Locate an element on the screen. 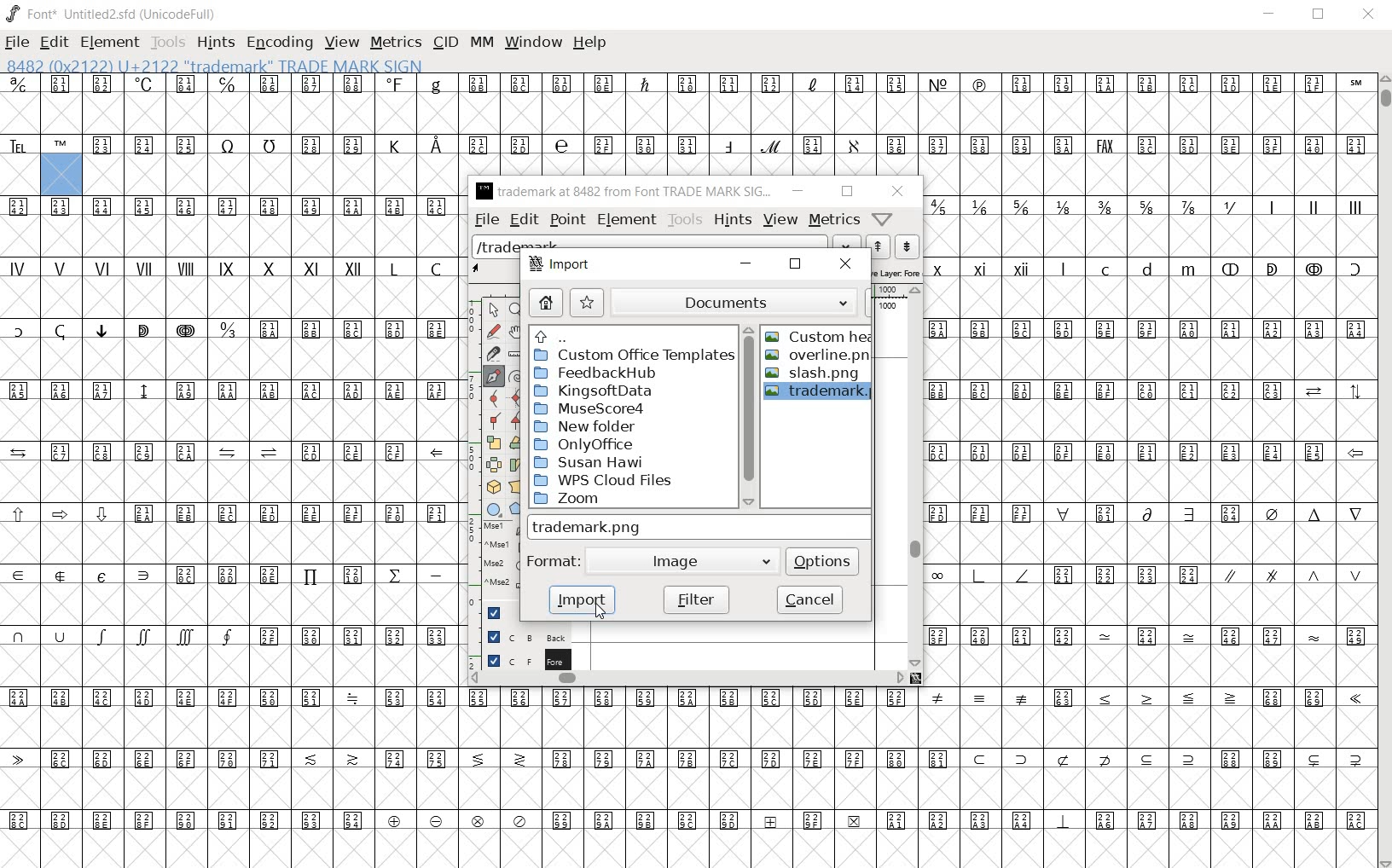  symbols is located at coordinates (1151, 605).